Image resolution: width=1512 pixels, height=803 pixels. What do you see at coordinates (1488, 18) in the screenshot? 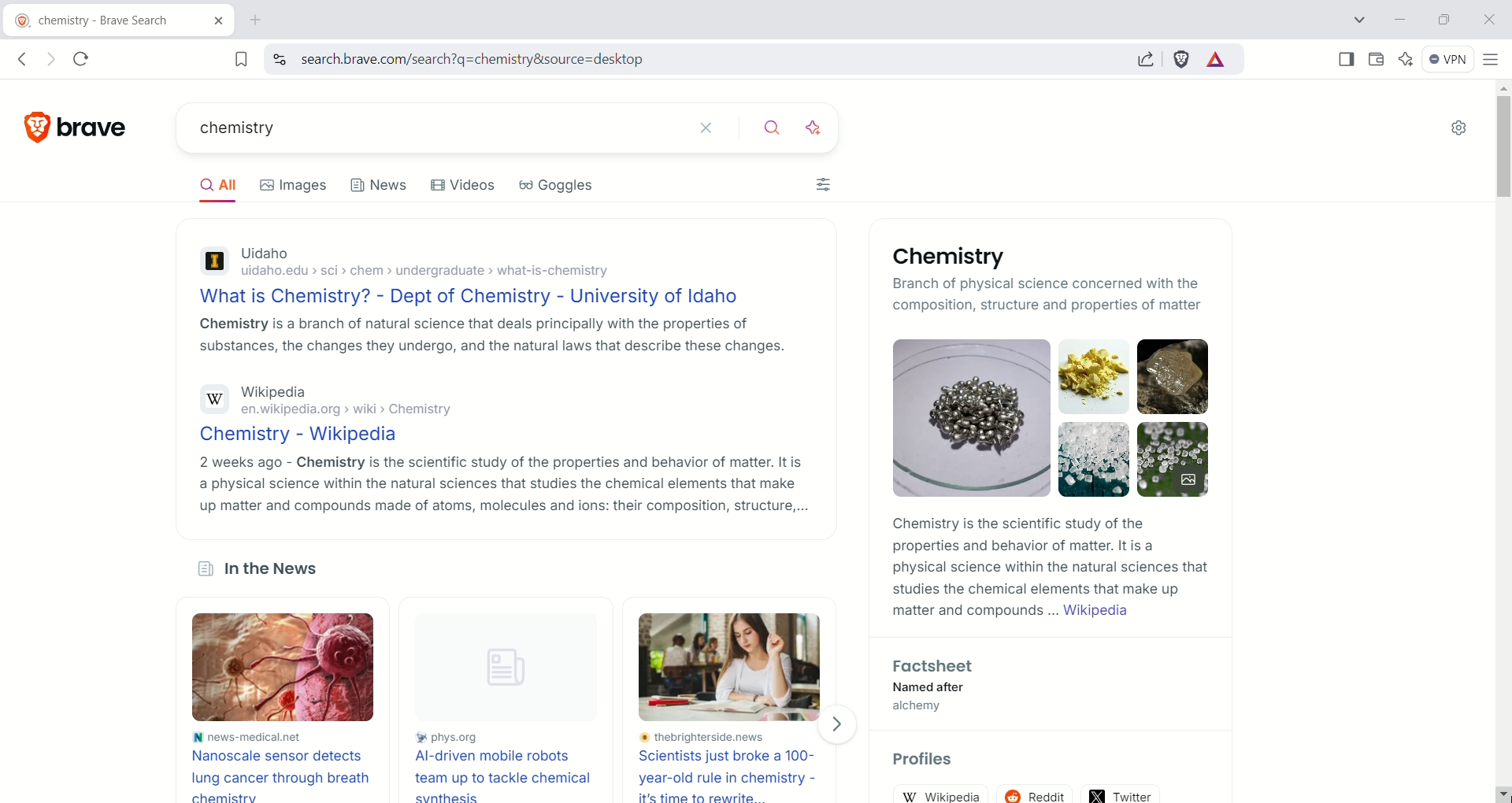
I see `close` at bounding box center [1488, 18].